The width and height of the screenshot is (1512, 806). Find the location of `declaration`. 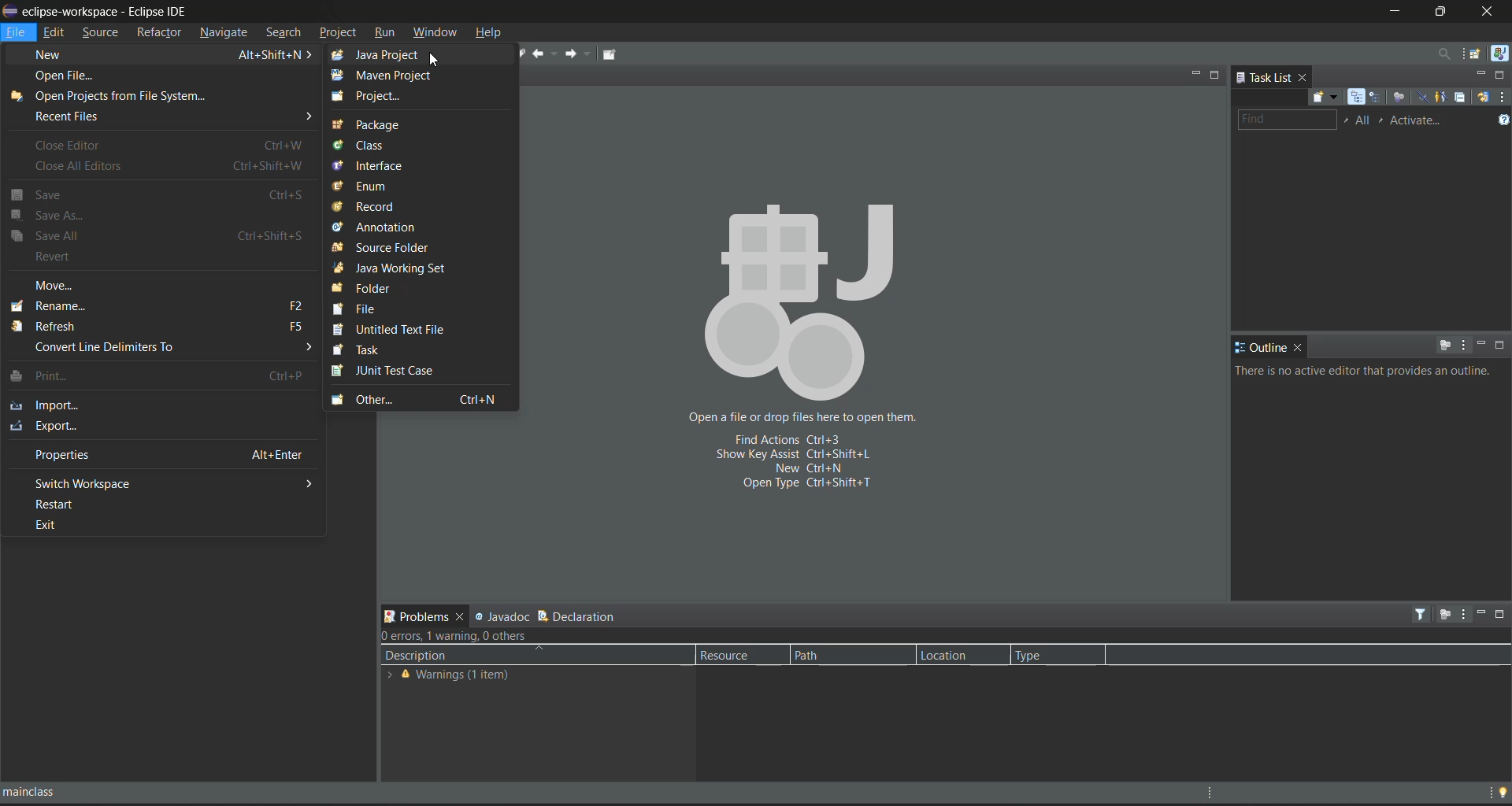

declaration is located at coordinates (584, 618).